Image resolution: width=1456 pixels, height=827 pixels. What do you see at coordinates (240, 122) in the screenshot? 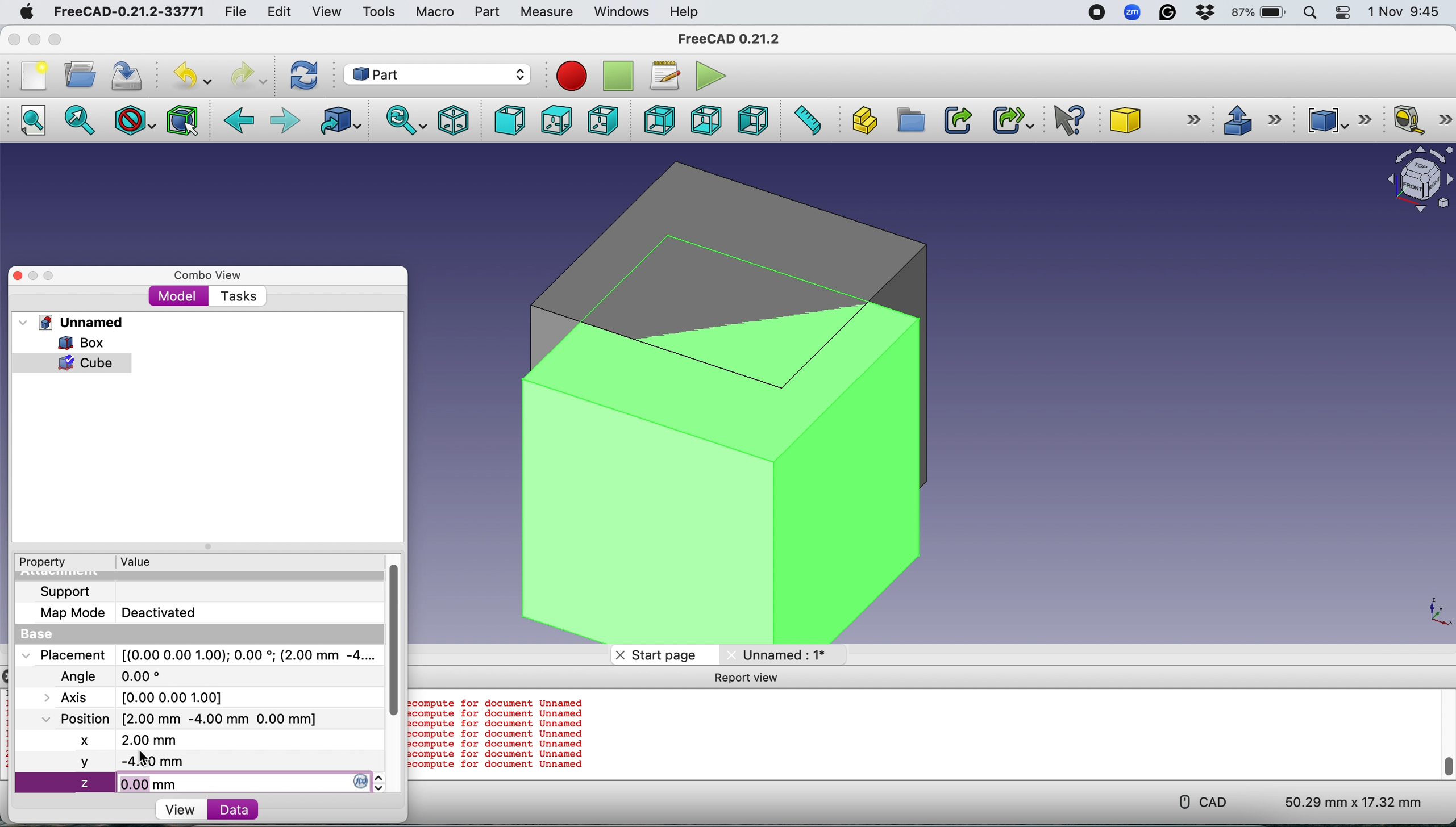
I see `Backward` at bounding box center [240, 122].